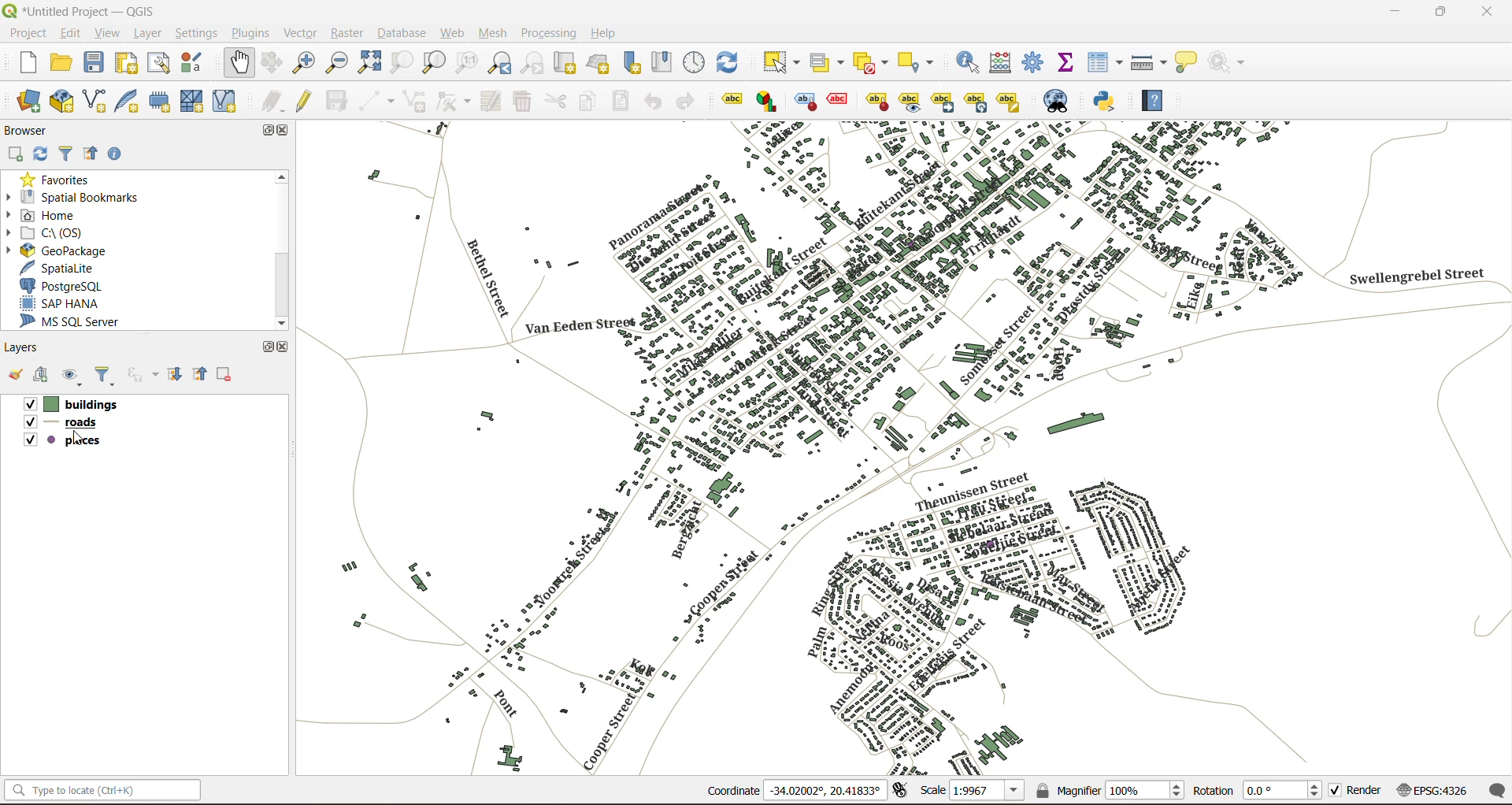 Image resolution: width=1512 pixels, height=805 pixels. Describe the element at coordinates (698, 65) in the screenshot. I see `control panel` at that location.